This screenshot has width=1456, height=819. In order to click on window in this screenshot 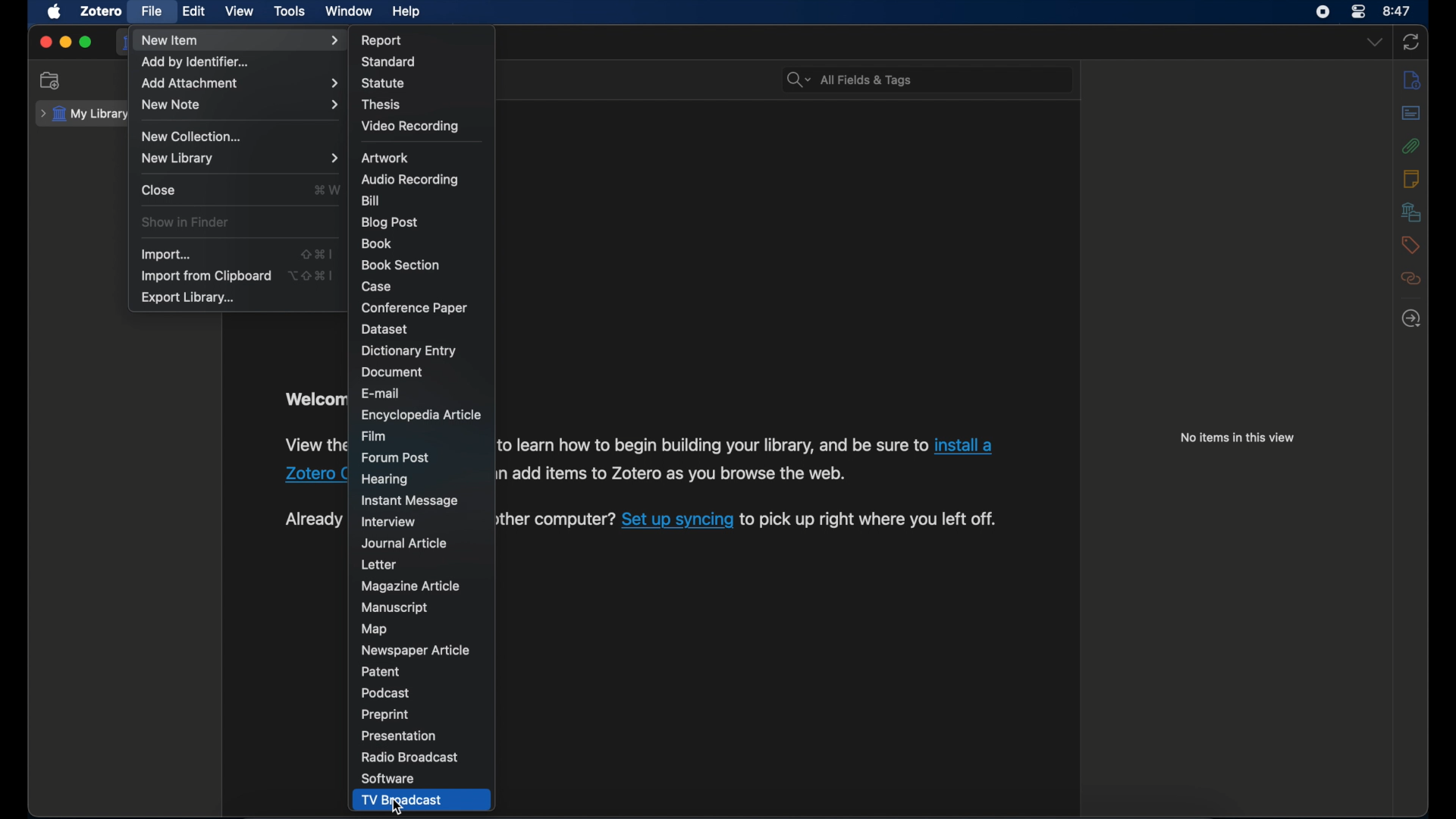, I will do `click(350, 11)`.